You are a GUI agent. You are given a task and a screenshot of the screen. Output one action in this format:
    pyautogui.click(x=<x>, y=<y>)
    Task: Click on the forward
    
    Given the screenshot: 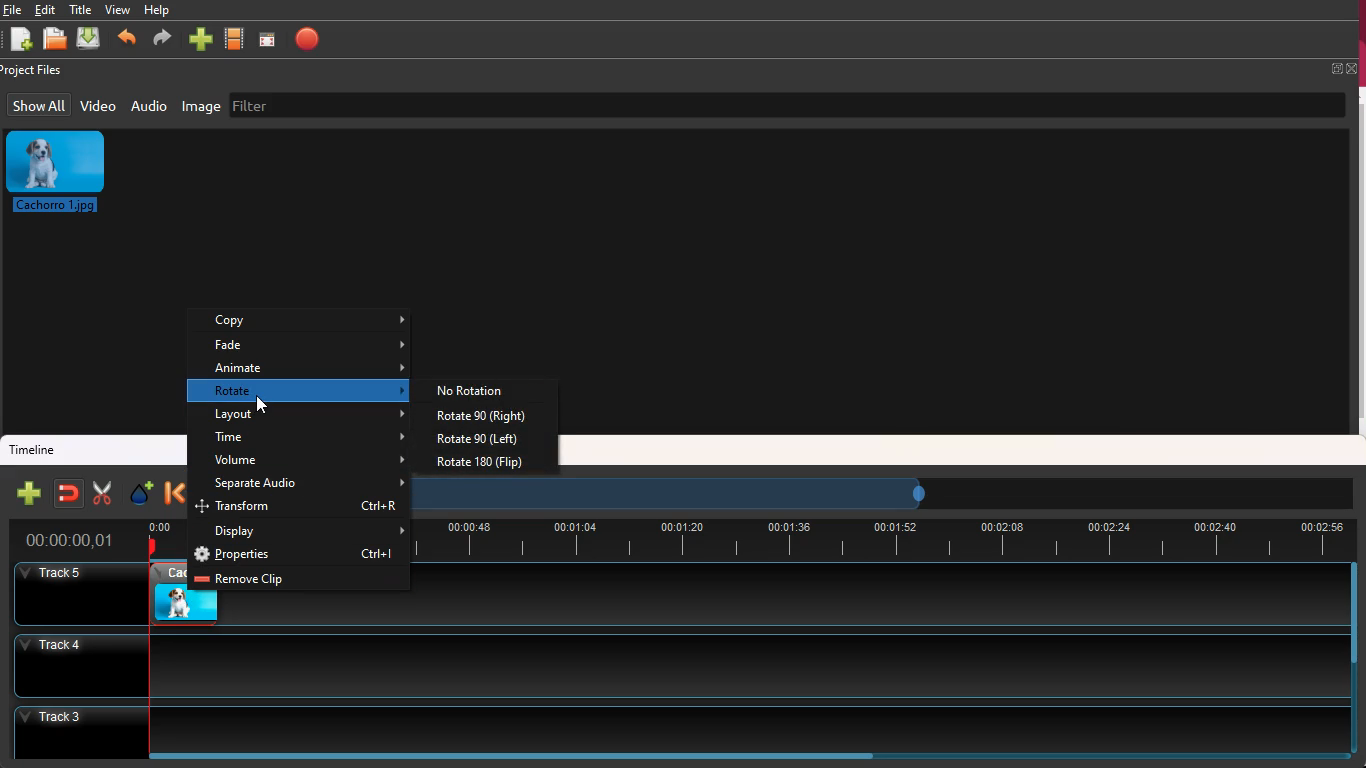 What is the action you would take?
    pyautogui.click(x=161, y=39)
    